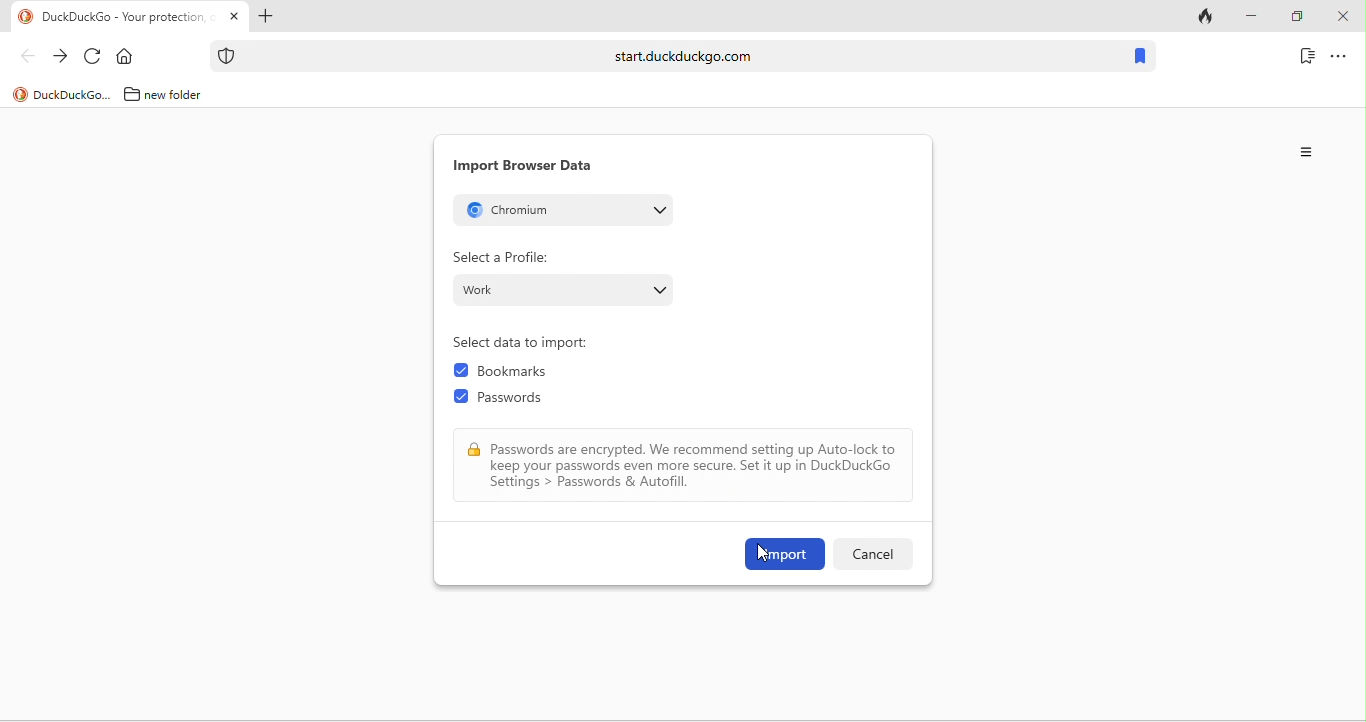 The width and height of the screenshot is (1366, 722). I want to click on track tab, so click(1208, 18).